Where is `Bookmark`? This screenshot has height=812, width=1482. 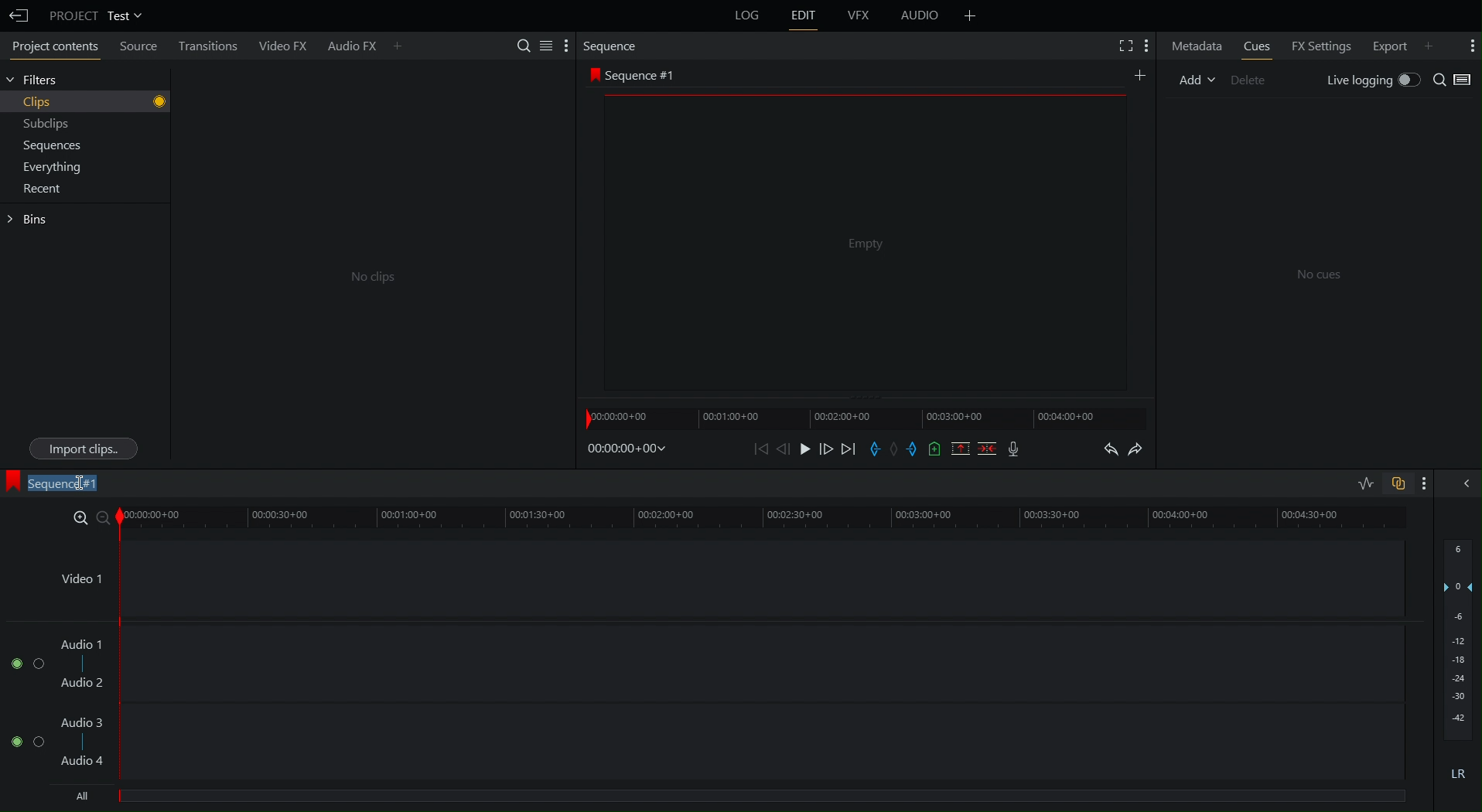 Bookmark is located at coordinates (935, 448).